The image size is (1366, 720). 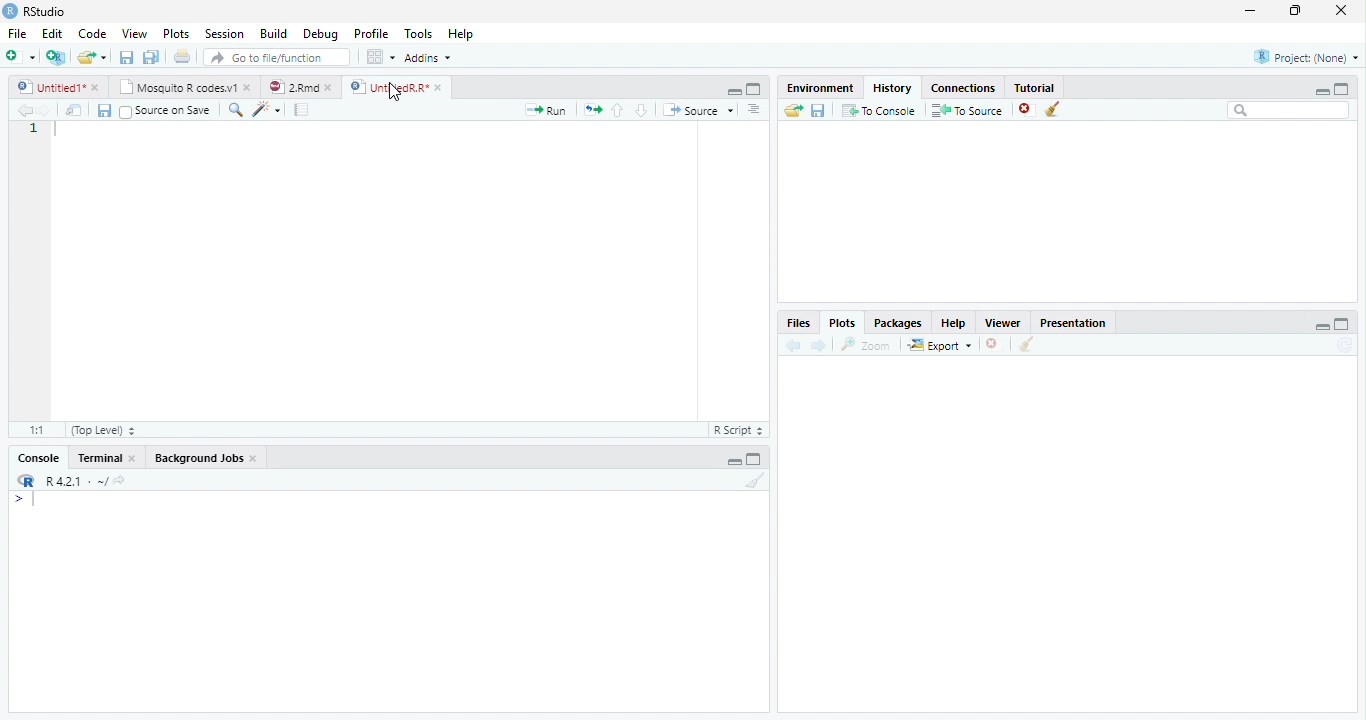 What do you see at coordinates (17, 33) in the screenshot?
I see `File` at bounding box center [17, 33].